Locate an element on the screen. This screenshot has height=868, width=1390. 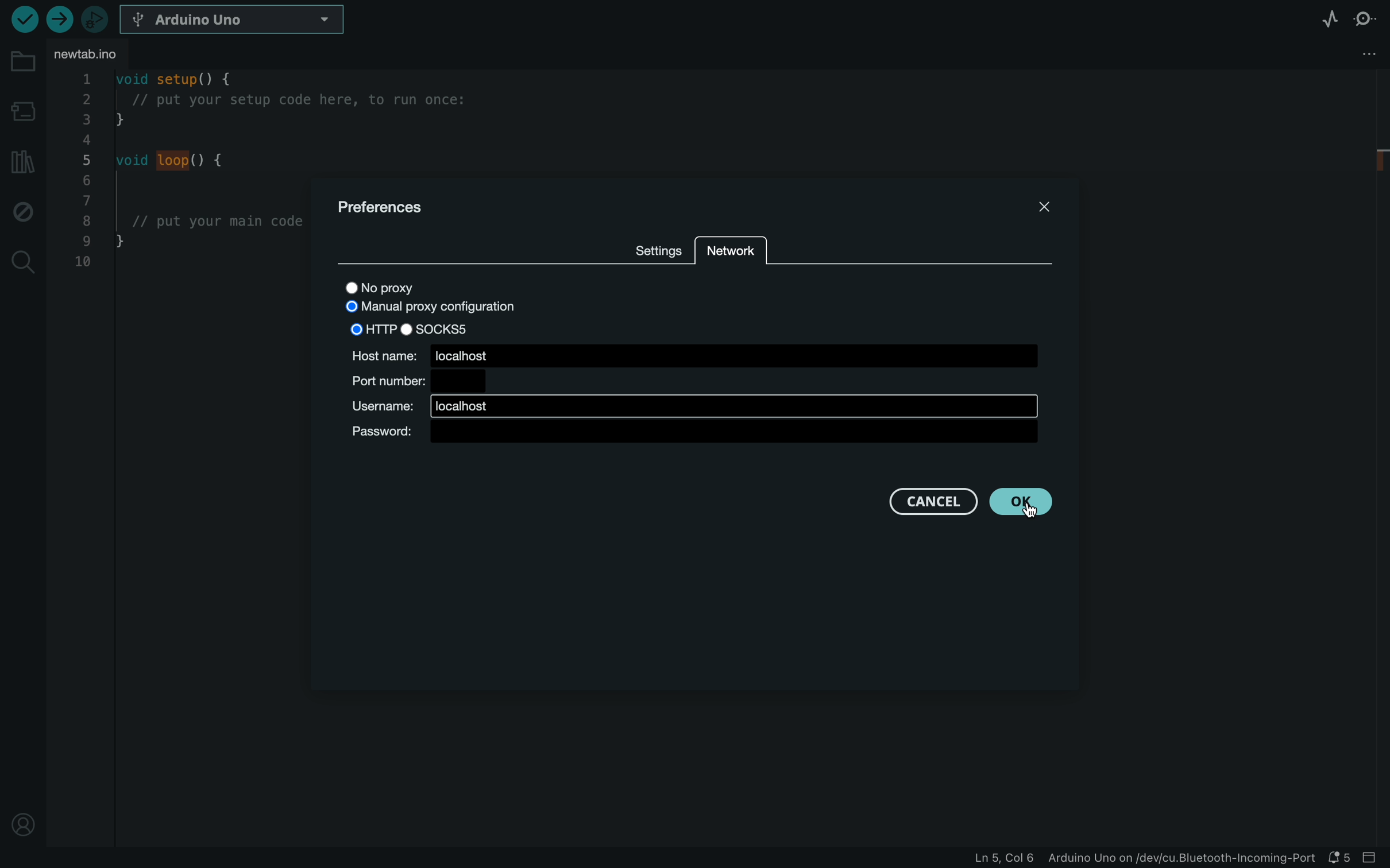
folder is located at coordinates (24, 62).